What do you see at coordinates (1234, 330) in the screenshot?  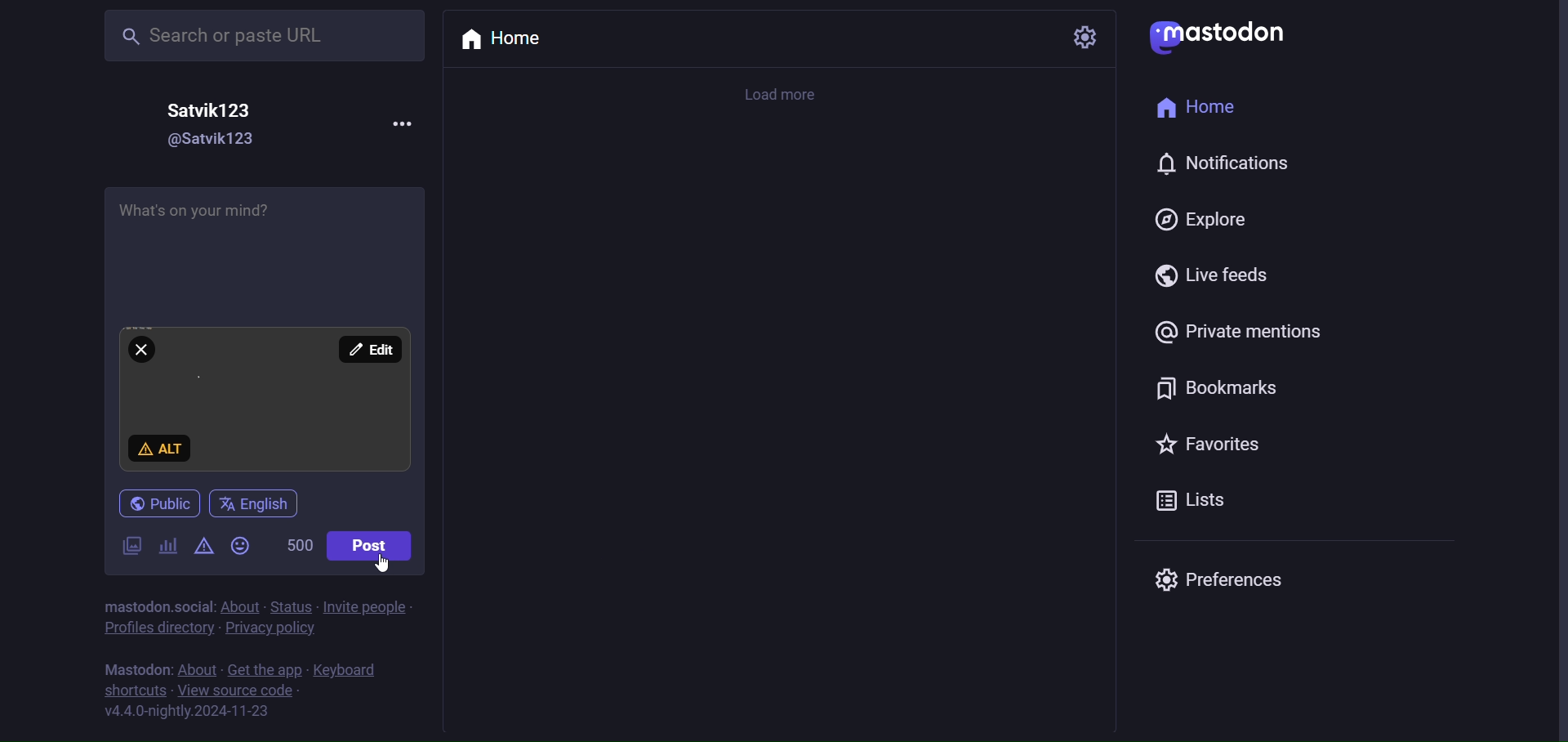 I see `private mention` at bounding box center [1234, 330].